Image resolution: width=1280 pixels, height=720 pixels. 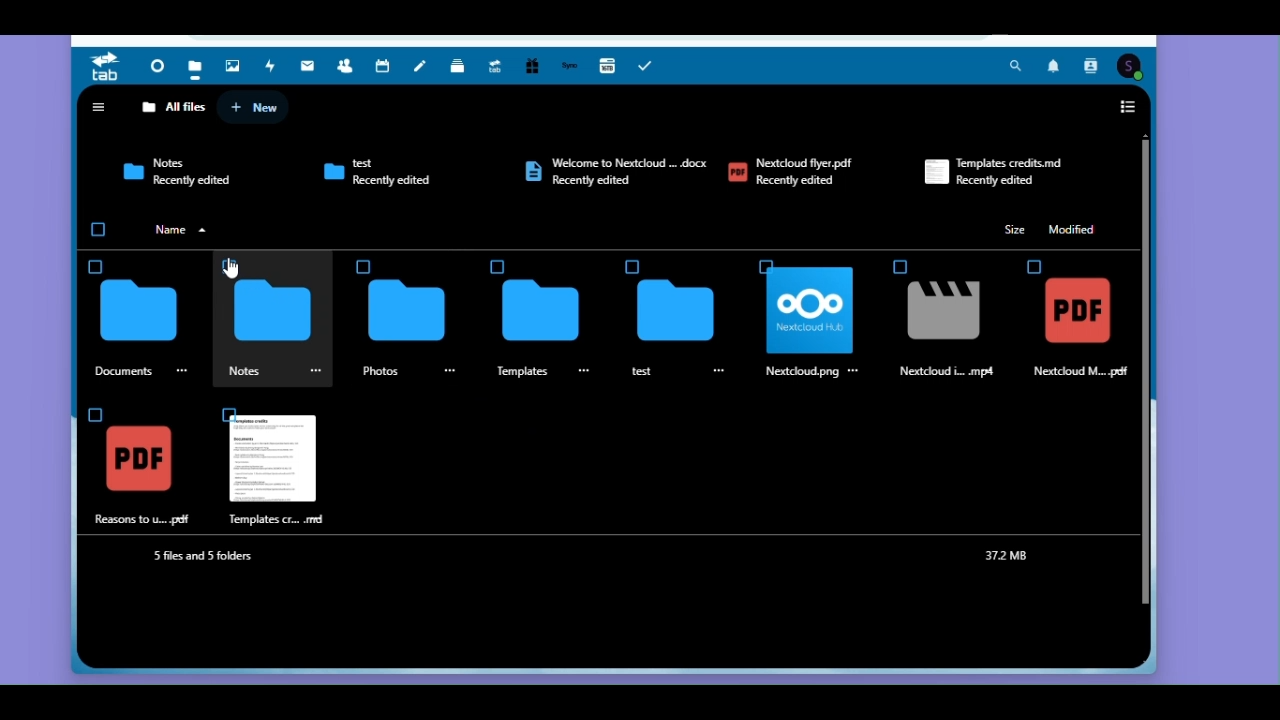 What do you see at coordinates (370, 166) in the screenshot?
I see `Test` at bounding box center [370, 166].